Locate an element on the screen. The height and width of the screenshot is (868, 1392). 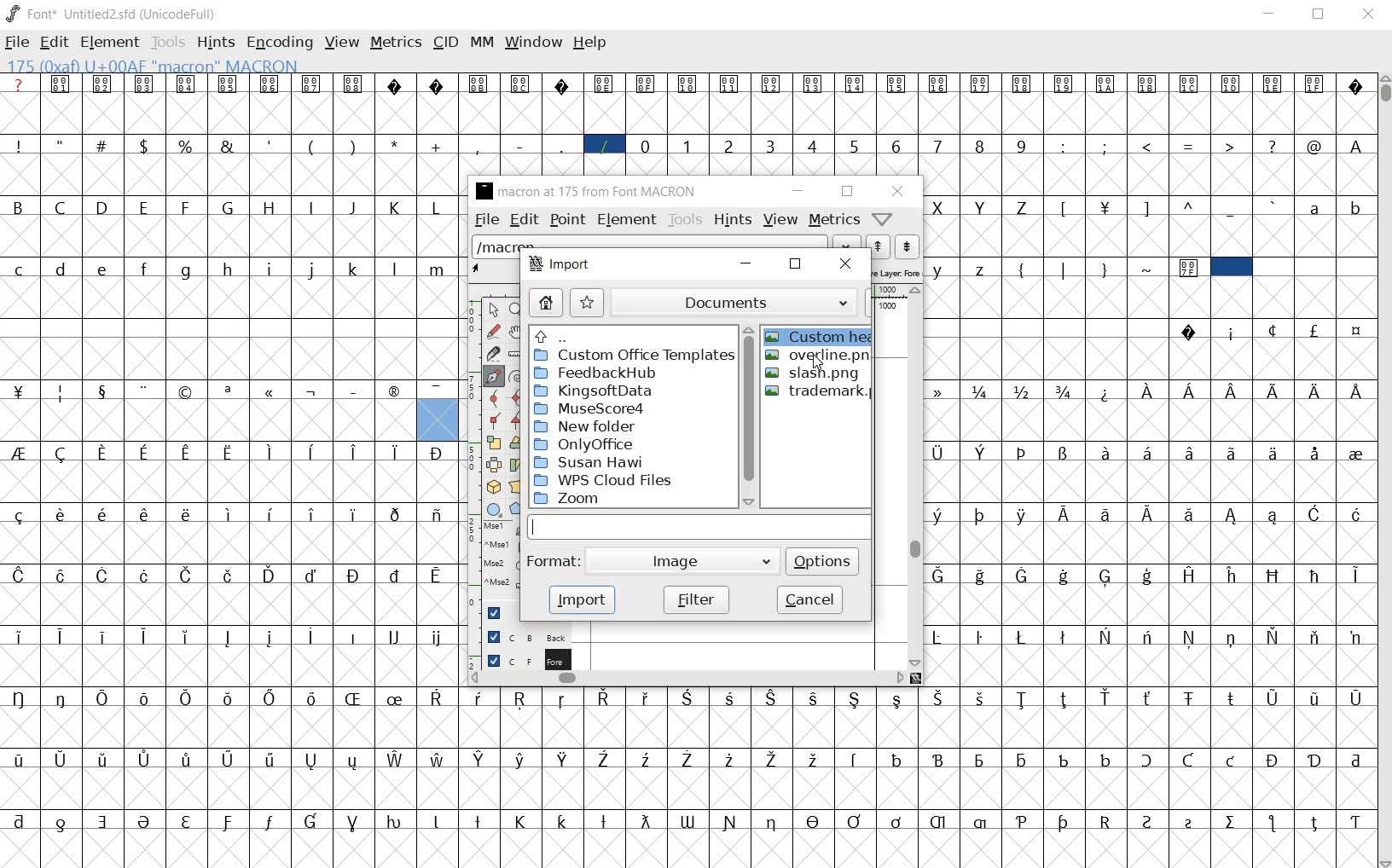
glyph slot is located at coordinates (436, 420).